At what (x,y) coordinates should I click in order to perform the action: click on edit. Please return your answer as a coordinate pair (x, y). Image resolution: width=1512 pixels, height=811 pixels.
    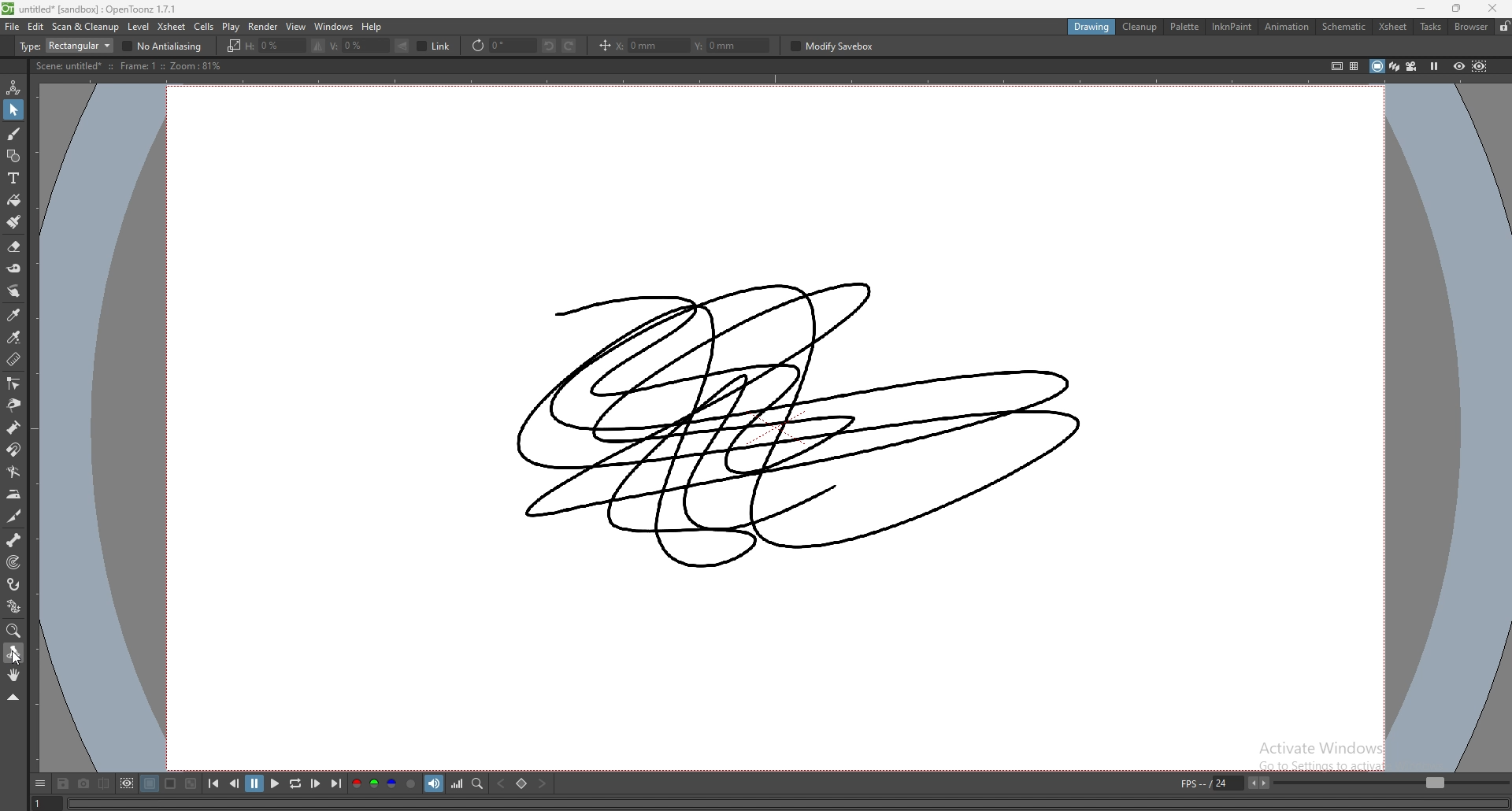
    Looking at the image, I should click on (35, 28).